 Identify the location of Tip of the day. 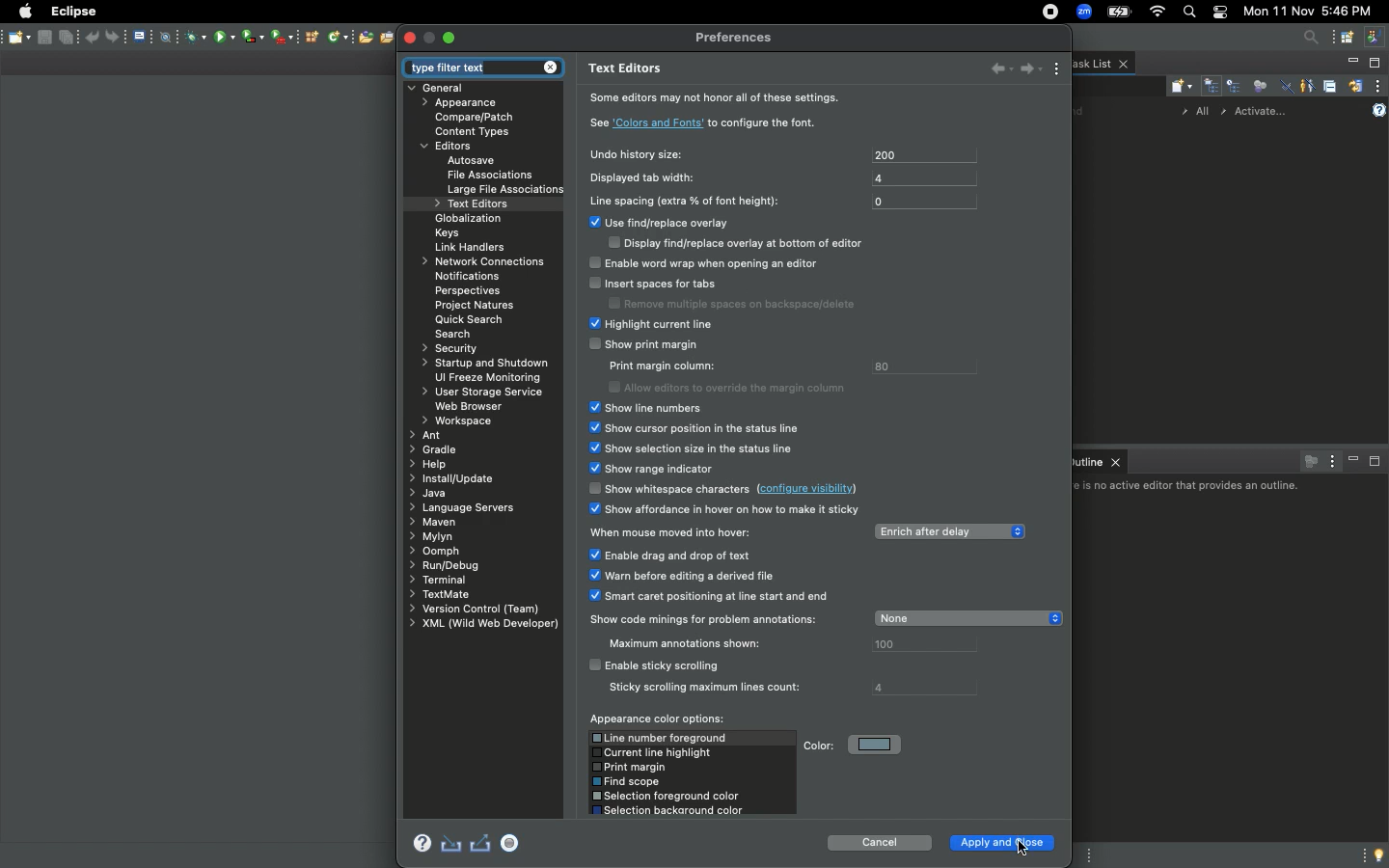
(1375, 854).